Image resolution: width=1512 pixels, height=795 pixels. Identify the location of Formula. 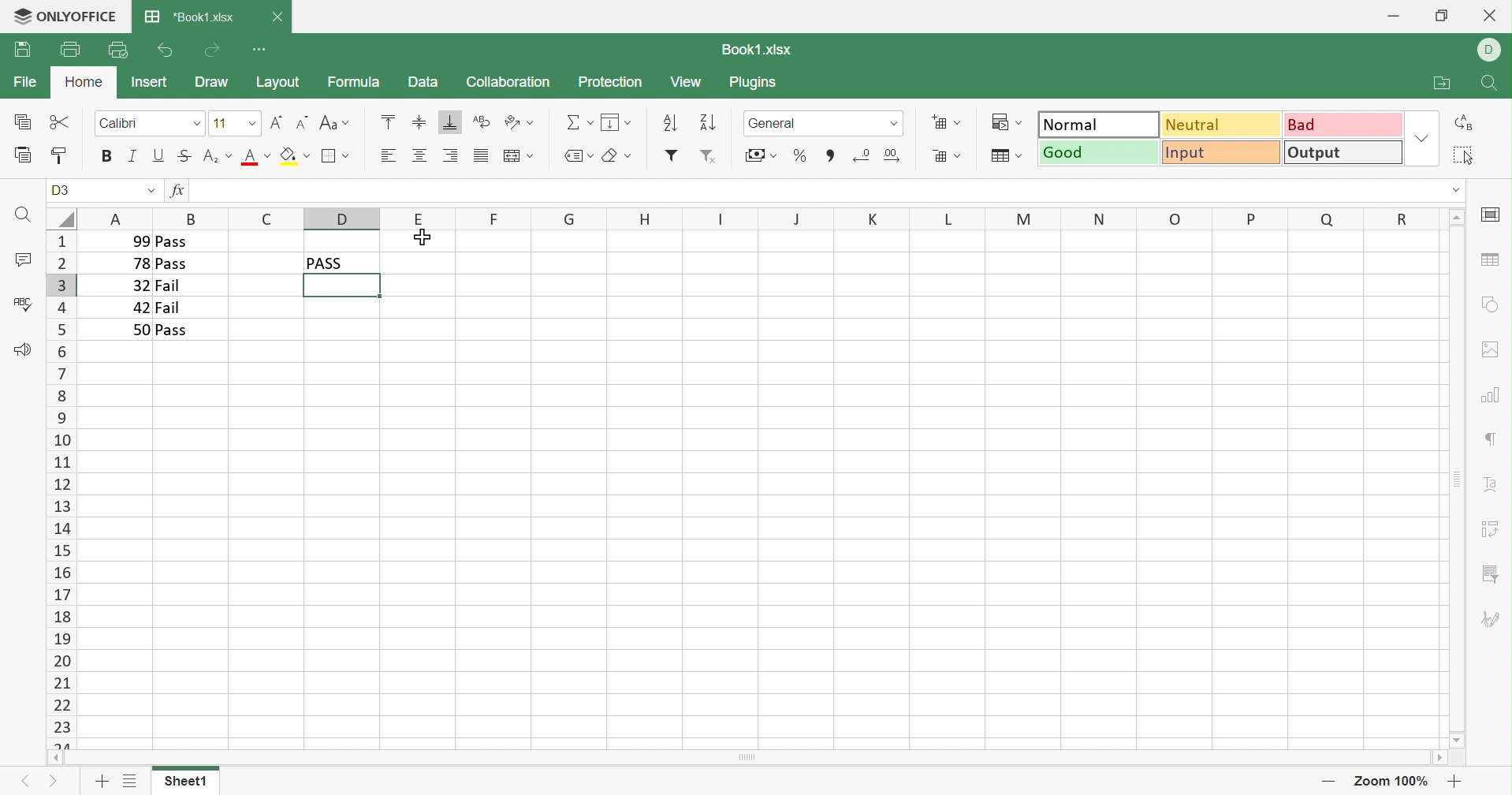
(352, 81).